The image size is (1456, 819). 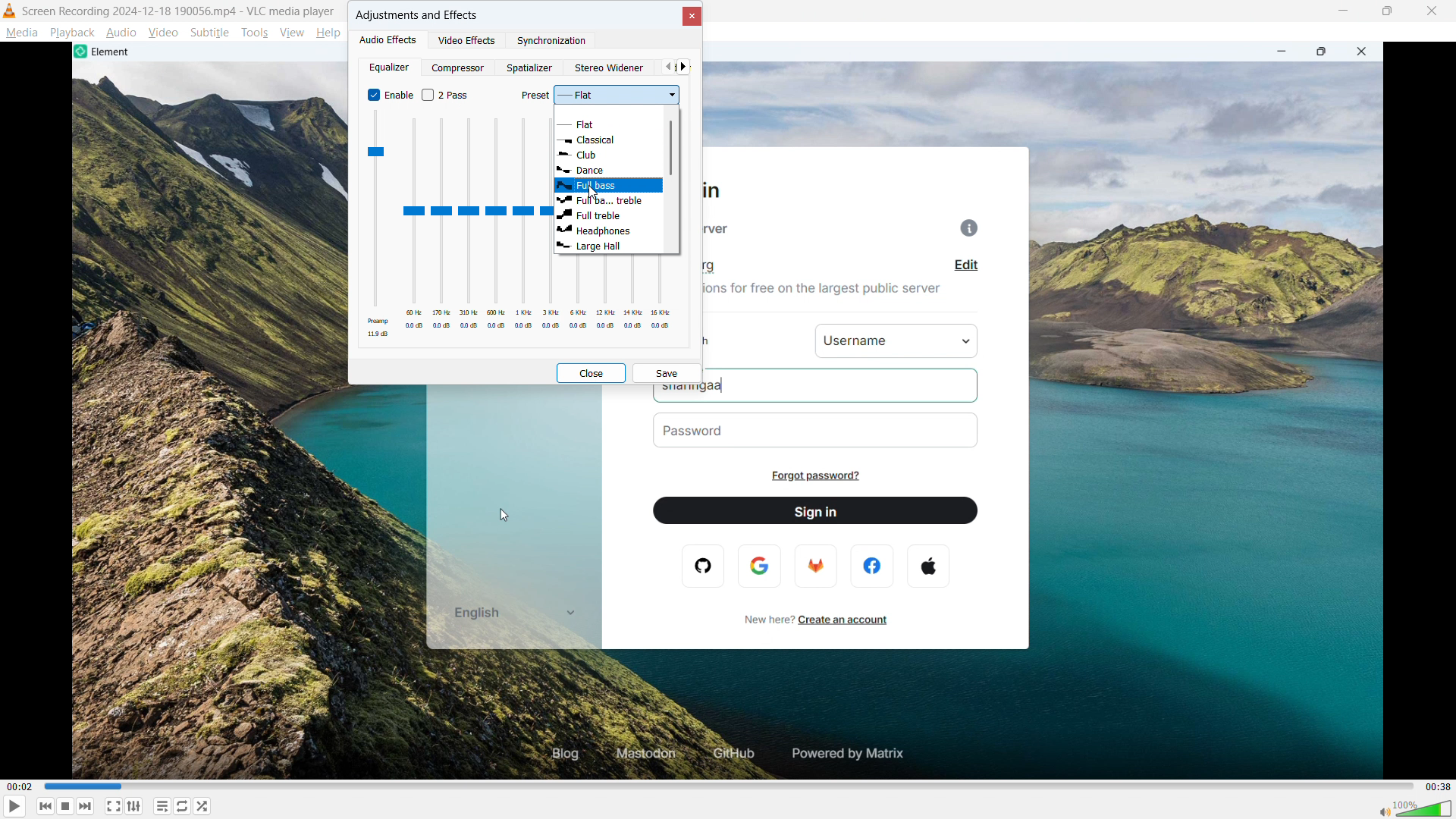 I want to click on close , so click(x=1432, y=11).